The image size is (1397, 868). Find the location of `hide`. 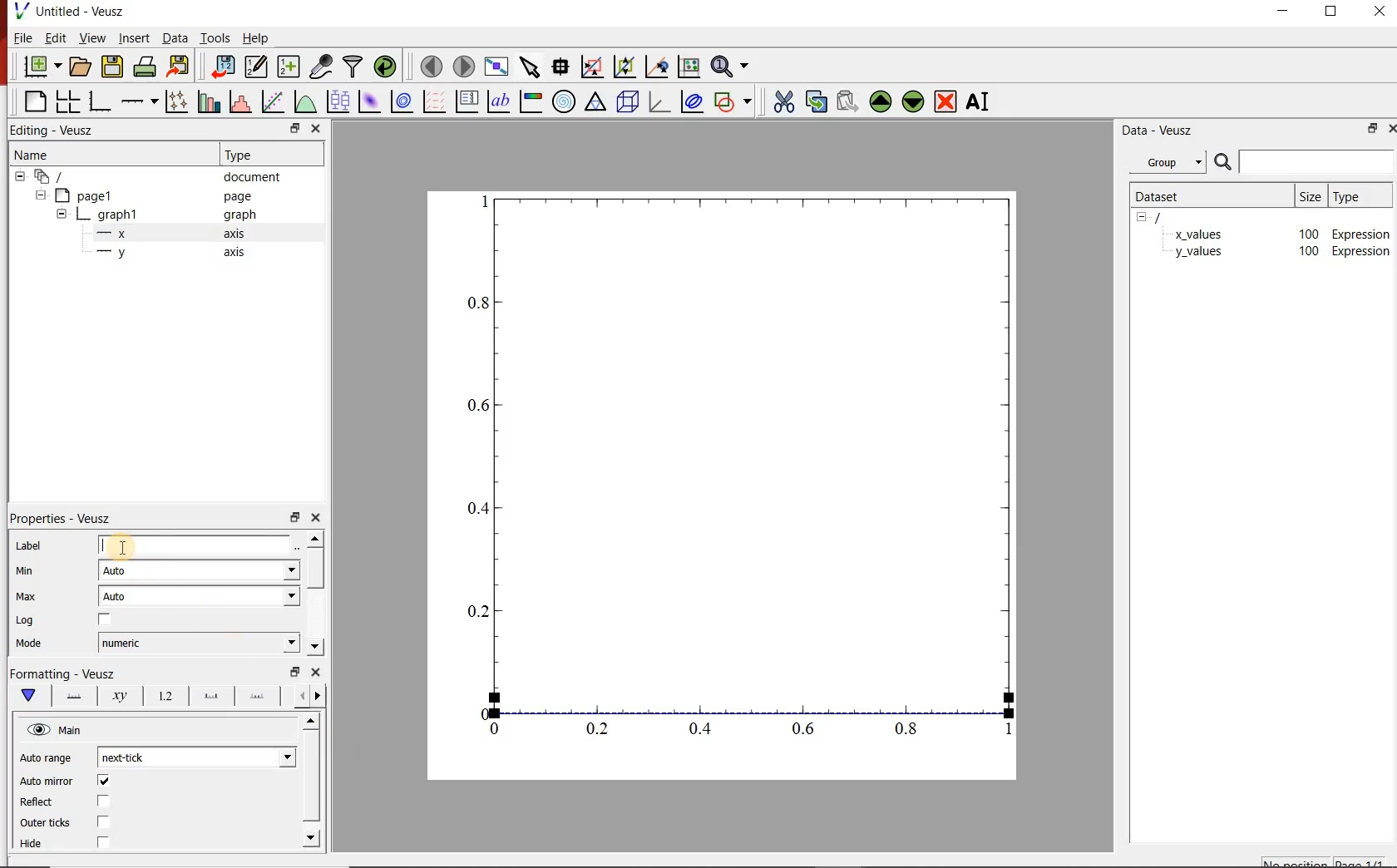

hide is located at coordinates (20, 176).